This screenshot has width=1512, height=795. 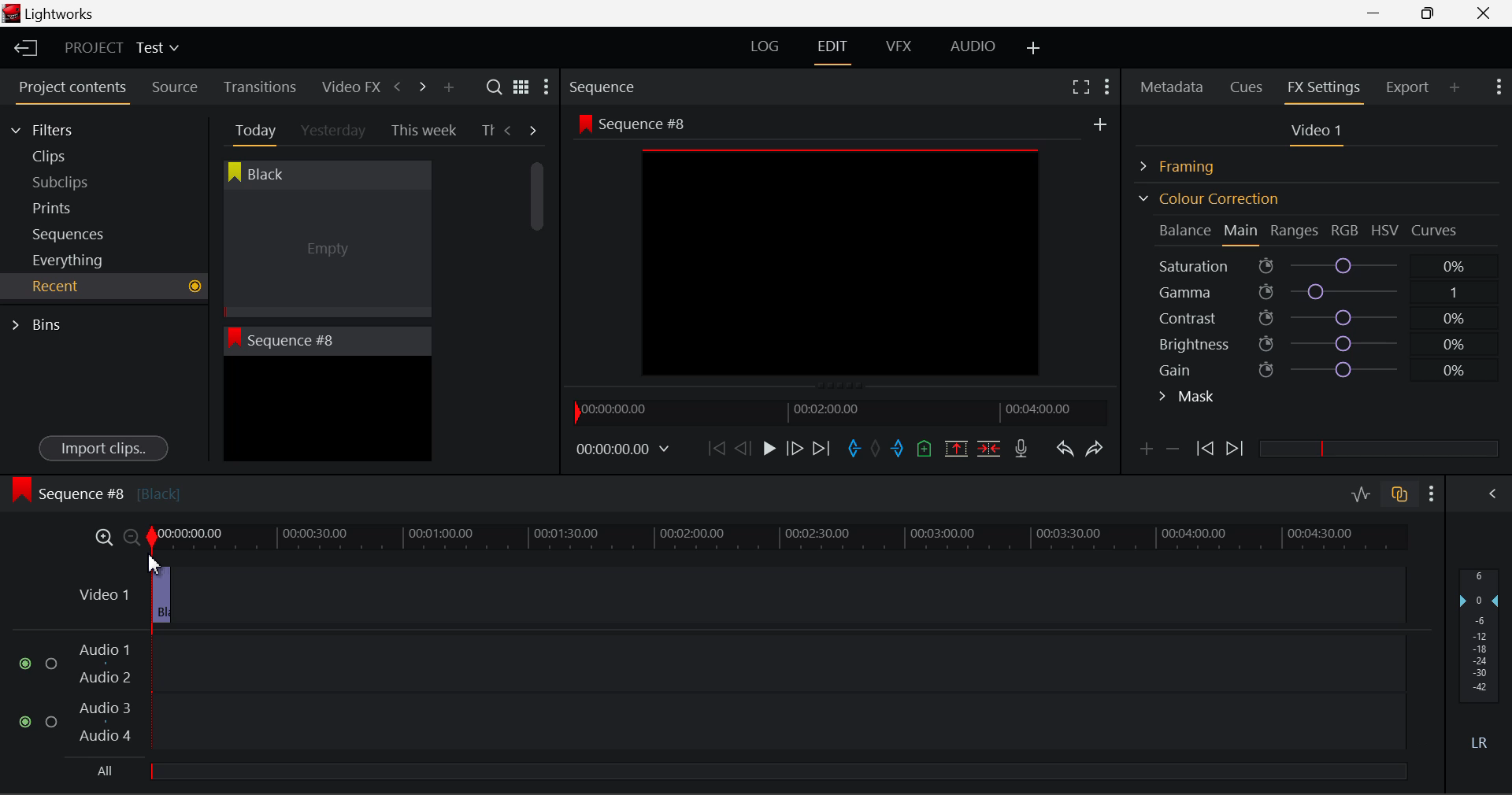 I want to click on Mark In, so click(x=855, y=449).